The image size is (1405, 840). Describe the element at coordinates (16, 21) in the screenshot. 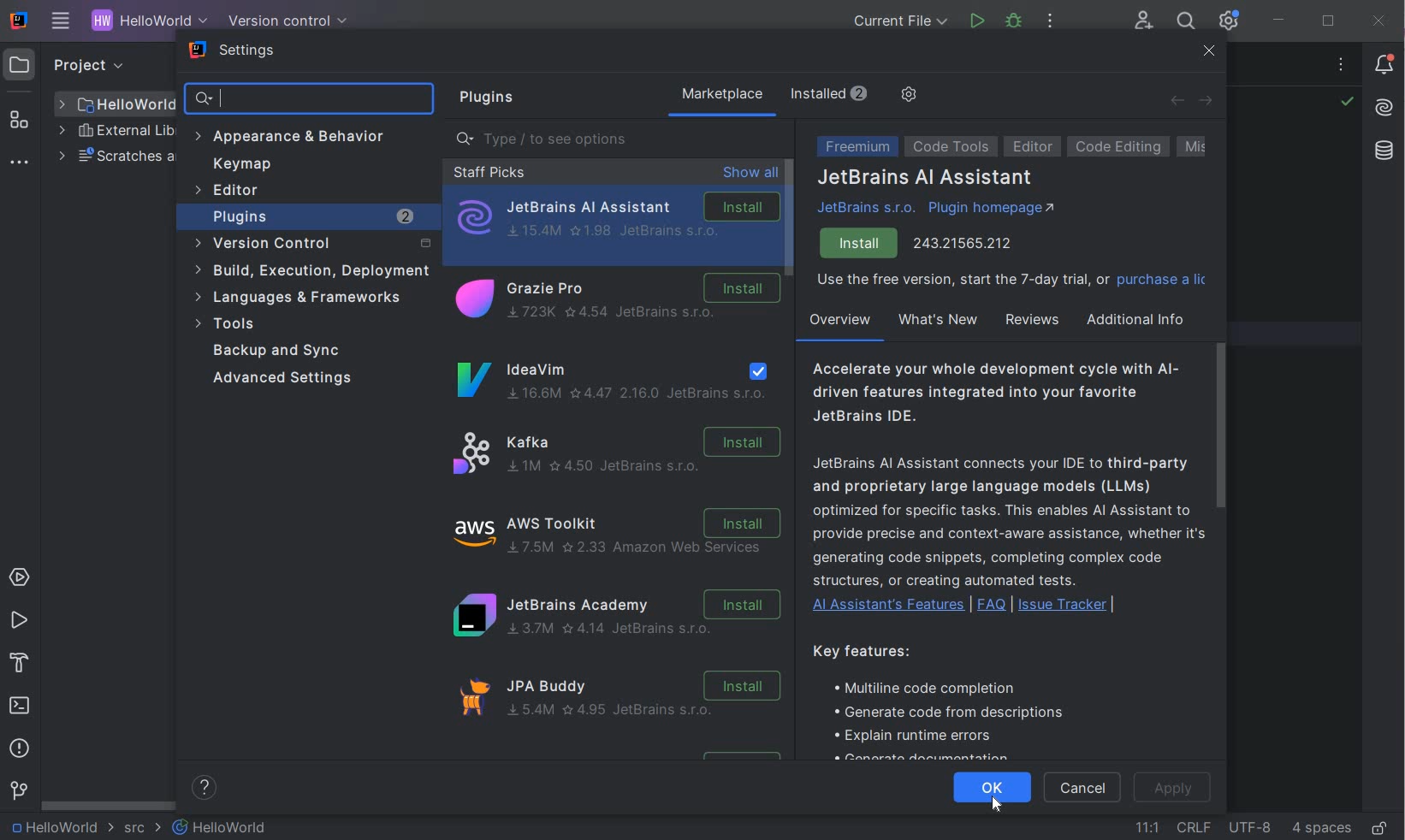

I see `SYSTEM NAME` at that location.